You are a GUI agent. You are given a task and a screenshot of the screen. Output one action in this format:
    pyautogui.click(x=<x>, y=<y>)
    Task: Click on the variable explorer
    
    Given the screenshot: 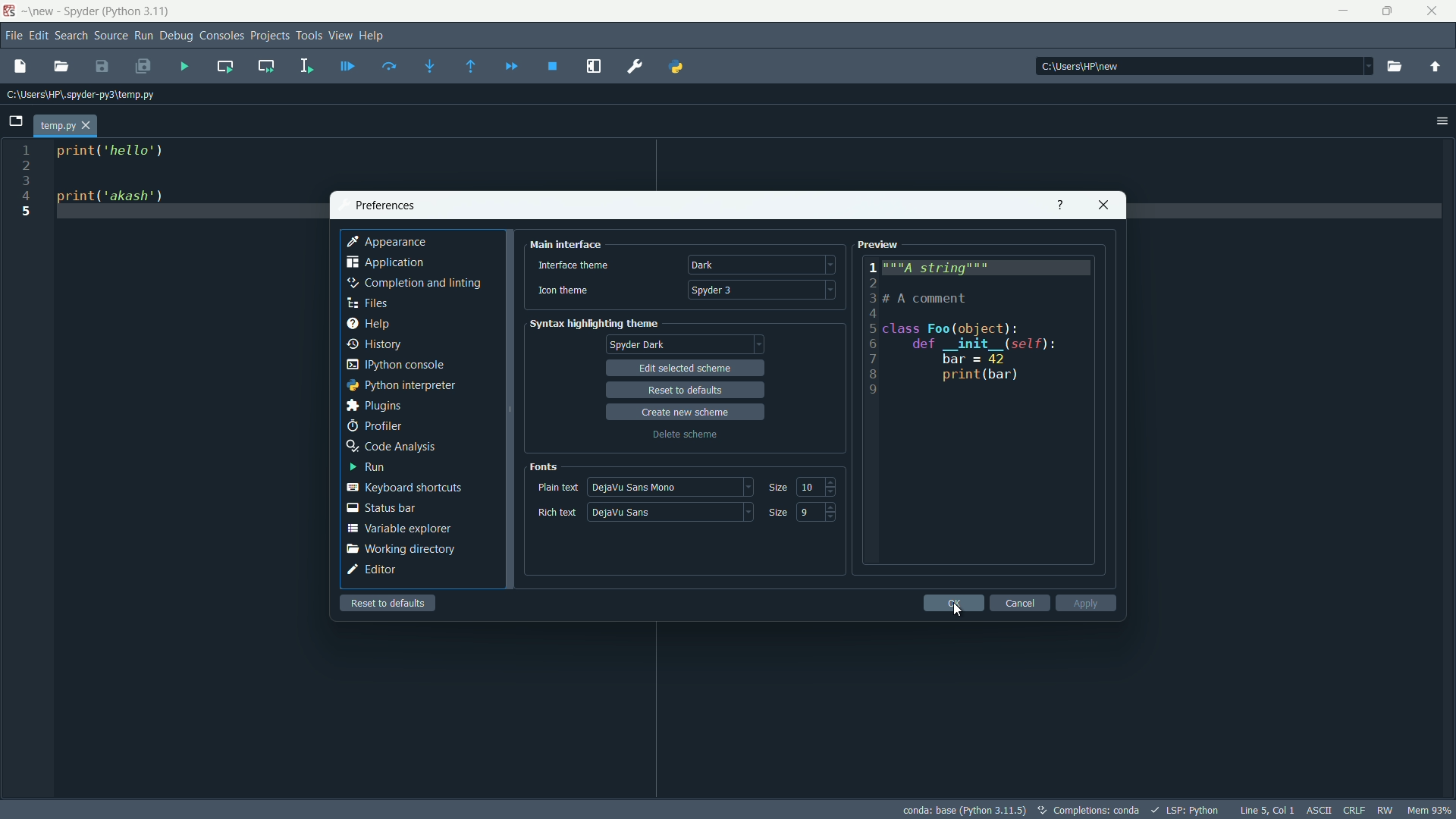 What is the action you would take?
    pyautogui.click(x=400, y=529)
    